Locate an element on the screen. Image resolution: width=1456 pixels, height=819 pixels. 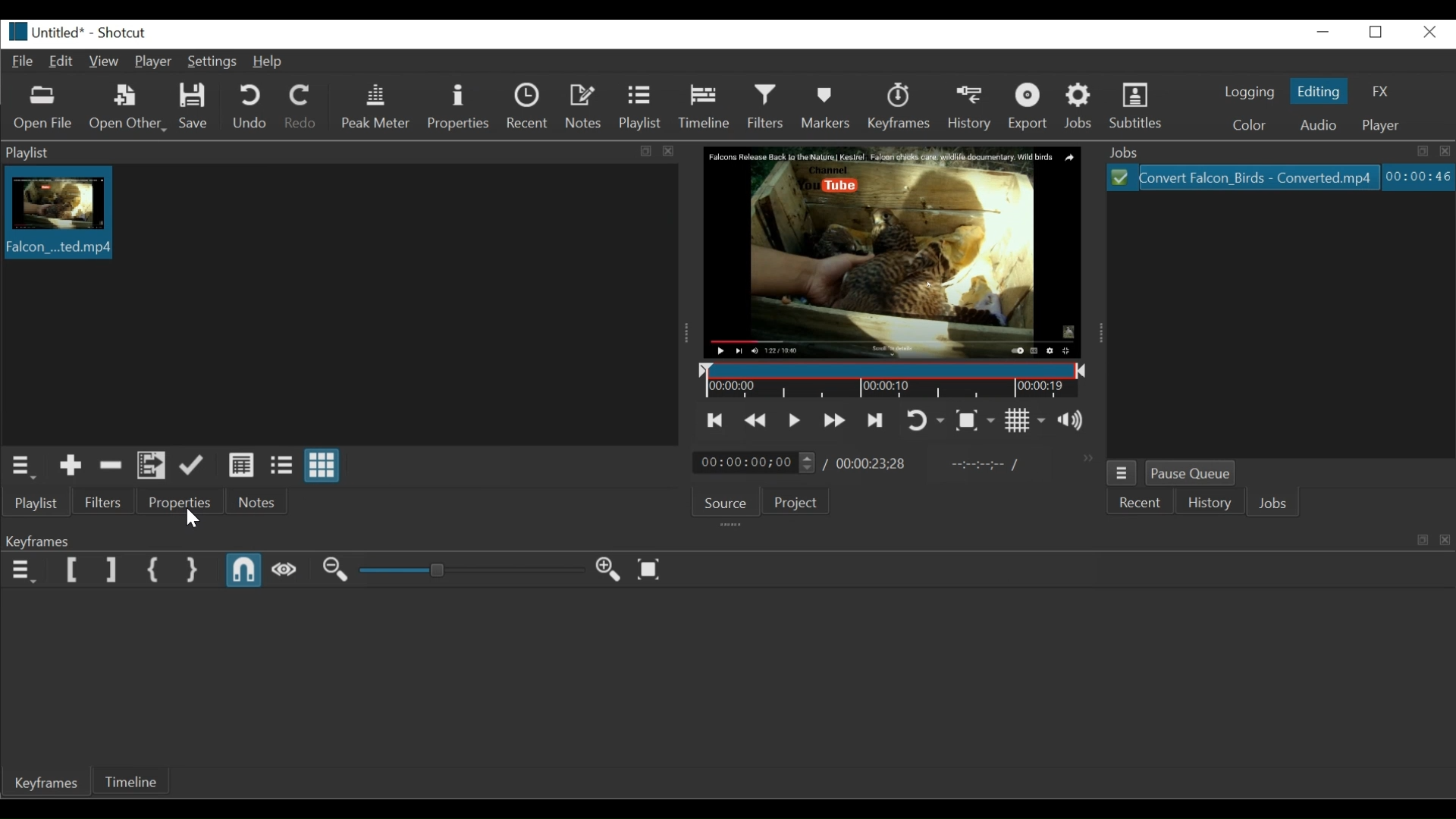
Player is located at coordinates (1389, 126).